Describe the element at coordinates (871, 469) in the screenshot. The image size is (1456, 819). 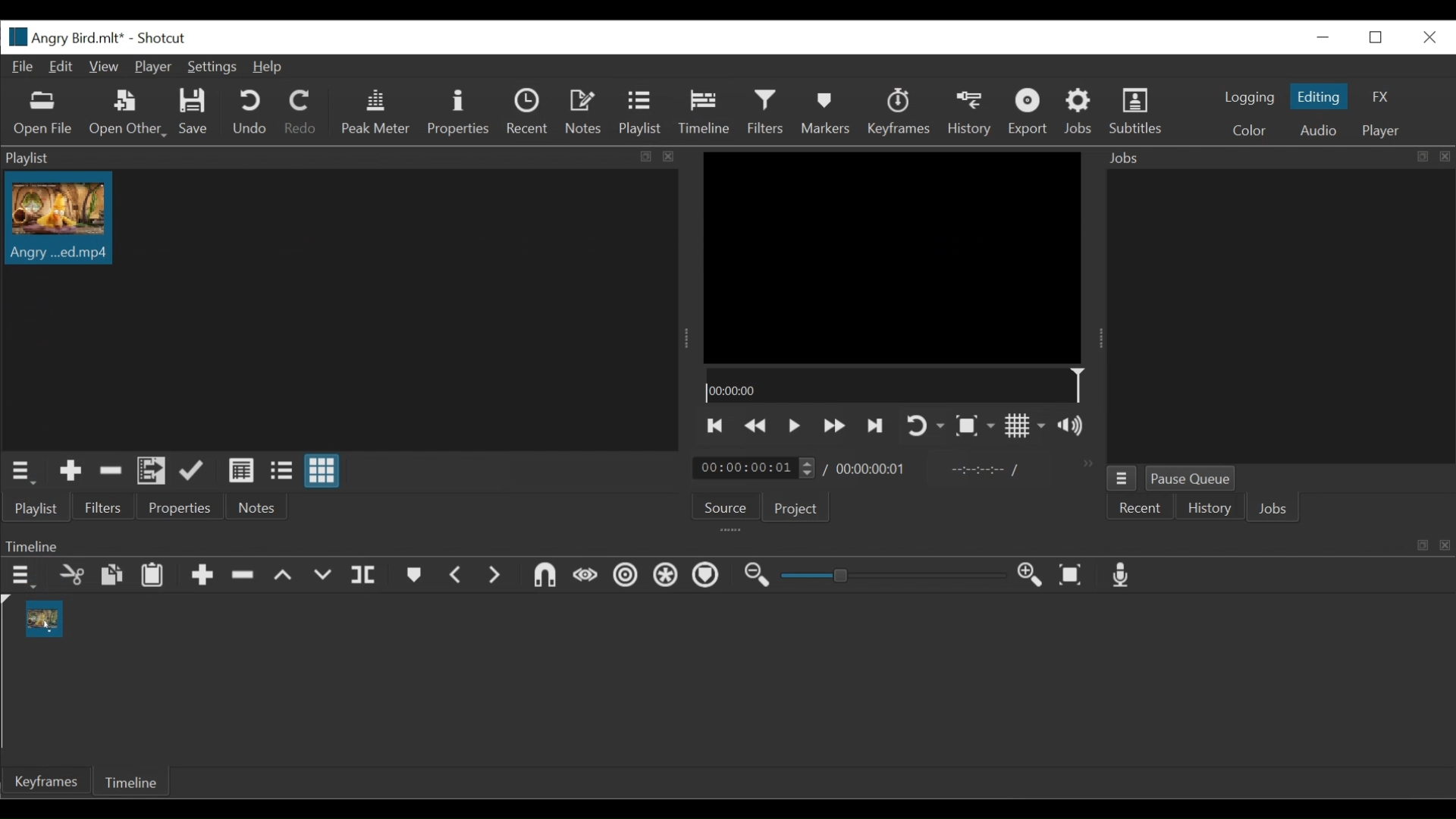
I see `Total duration` at that location.